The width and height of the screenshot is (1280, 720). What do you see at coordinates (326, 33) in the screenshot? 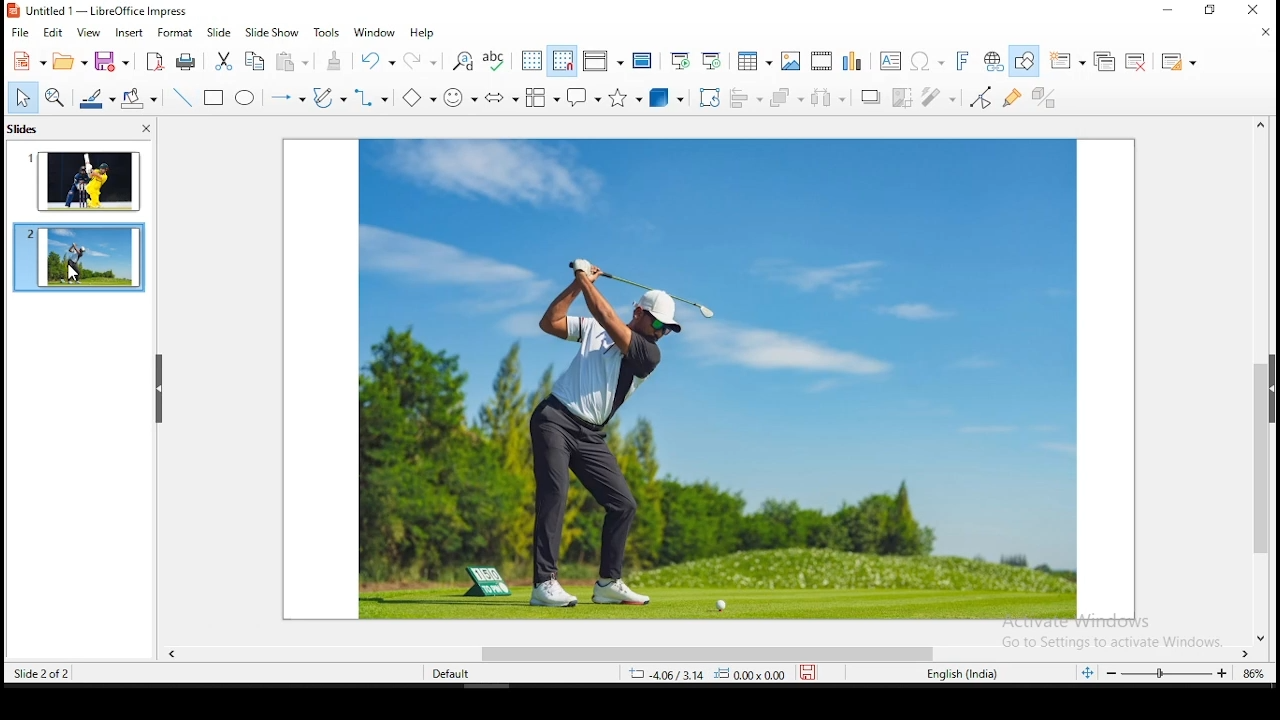
I see `tools` at bounding box center [326, 33].